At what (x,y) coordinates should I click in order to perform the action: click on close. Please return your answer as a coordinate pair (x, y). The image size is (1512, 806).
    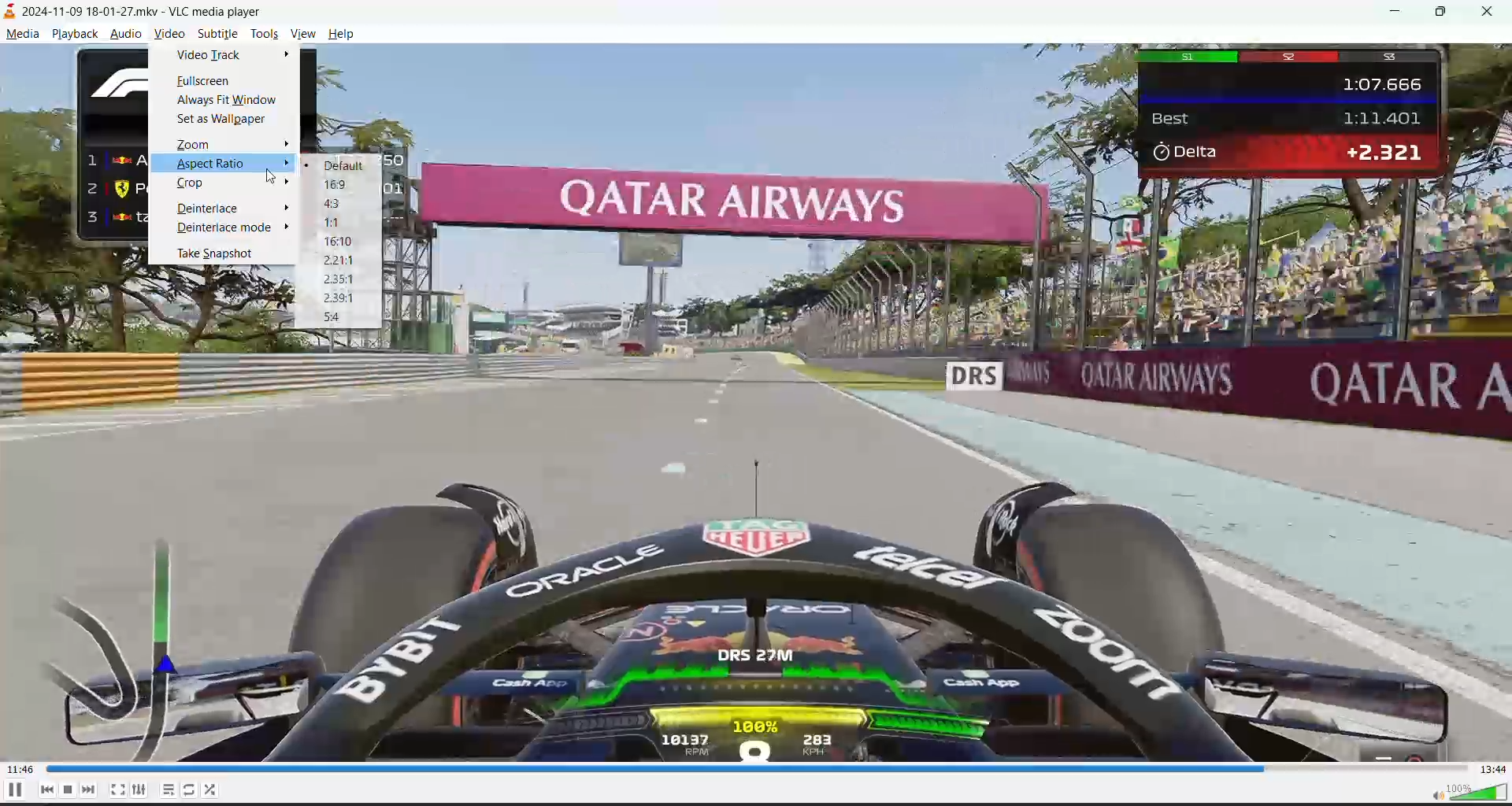
    Looking at the image, I should click on (1493, 12).